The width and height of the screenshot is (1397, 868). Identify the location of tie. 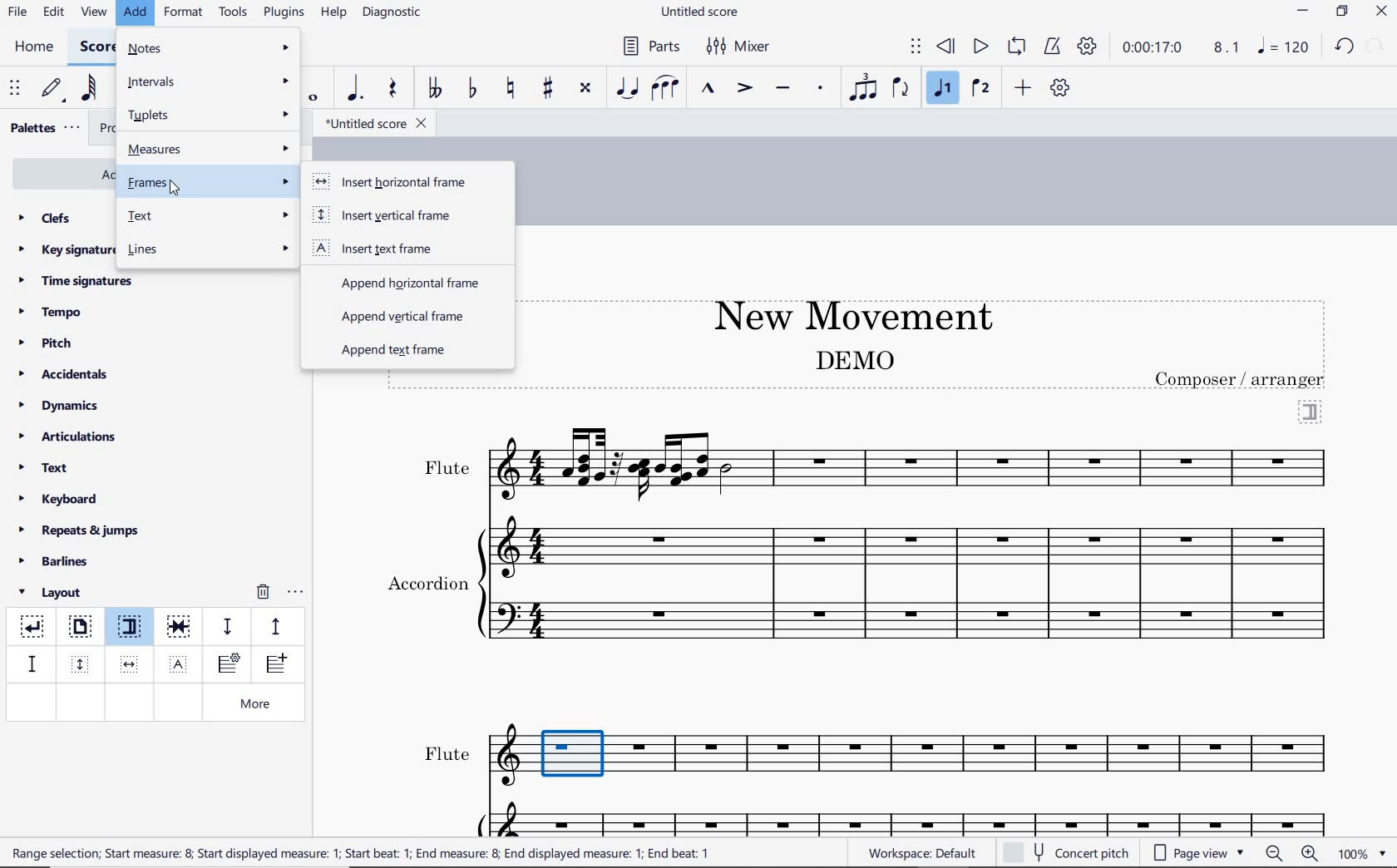
(629, 89).